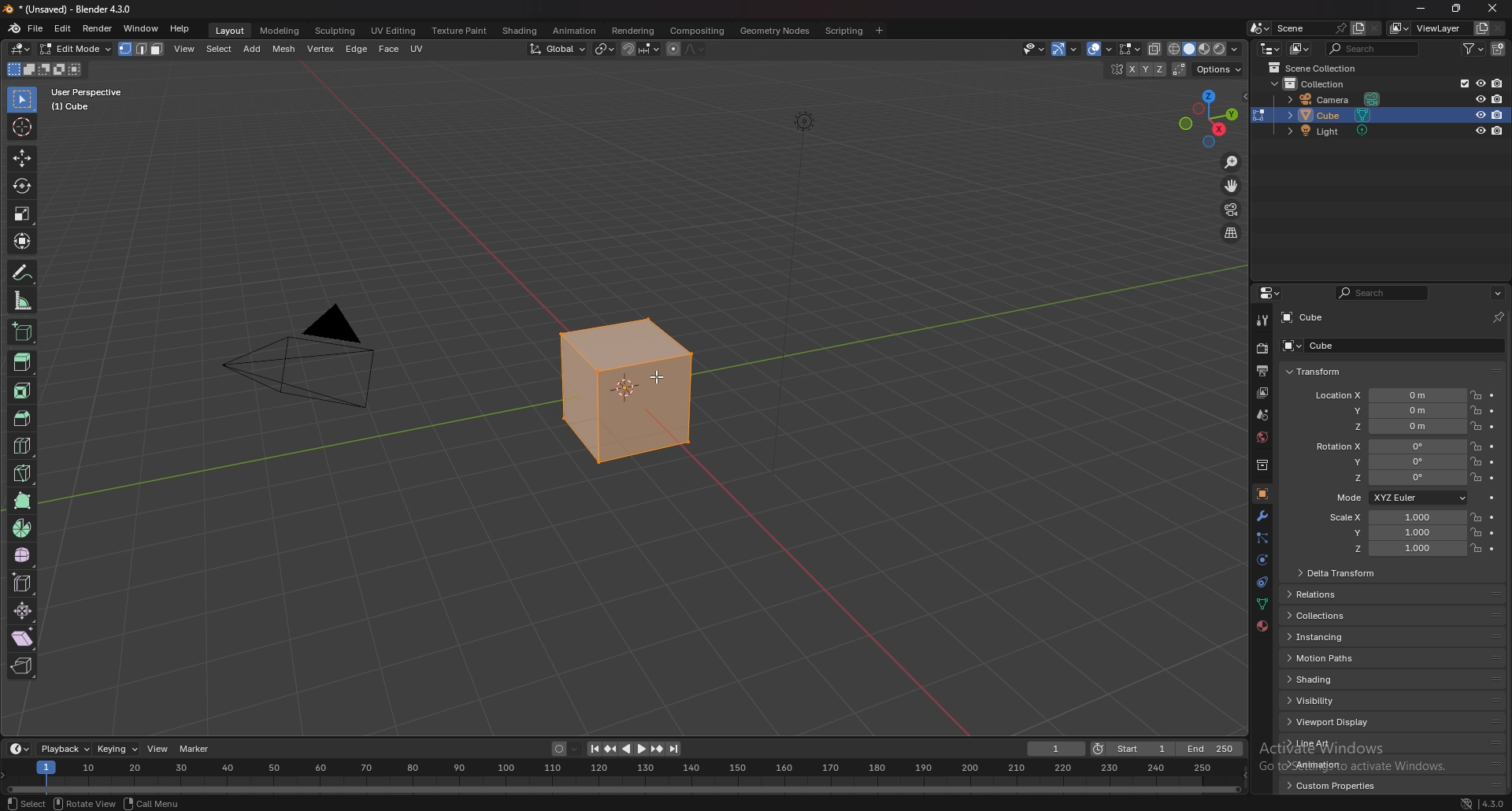  Describe the element at coordinates (1265, 392) in the screenshot. I see `view layer` at that location.